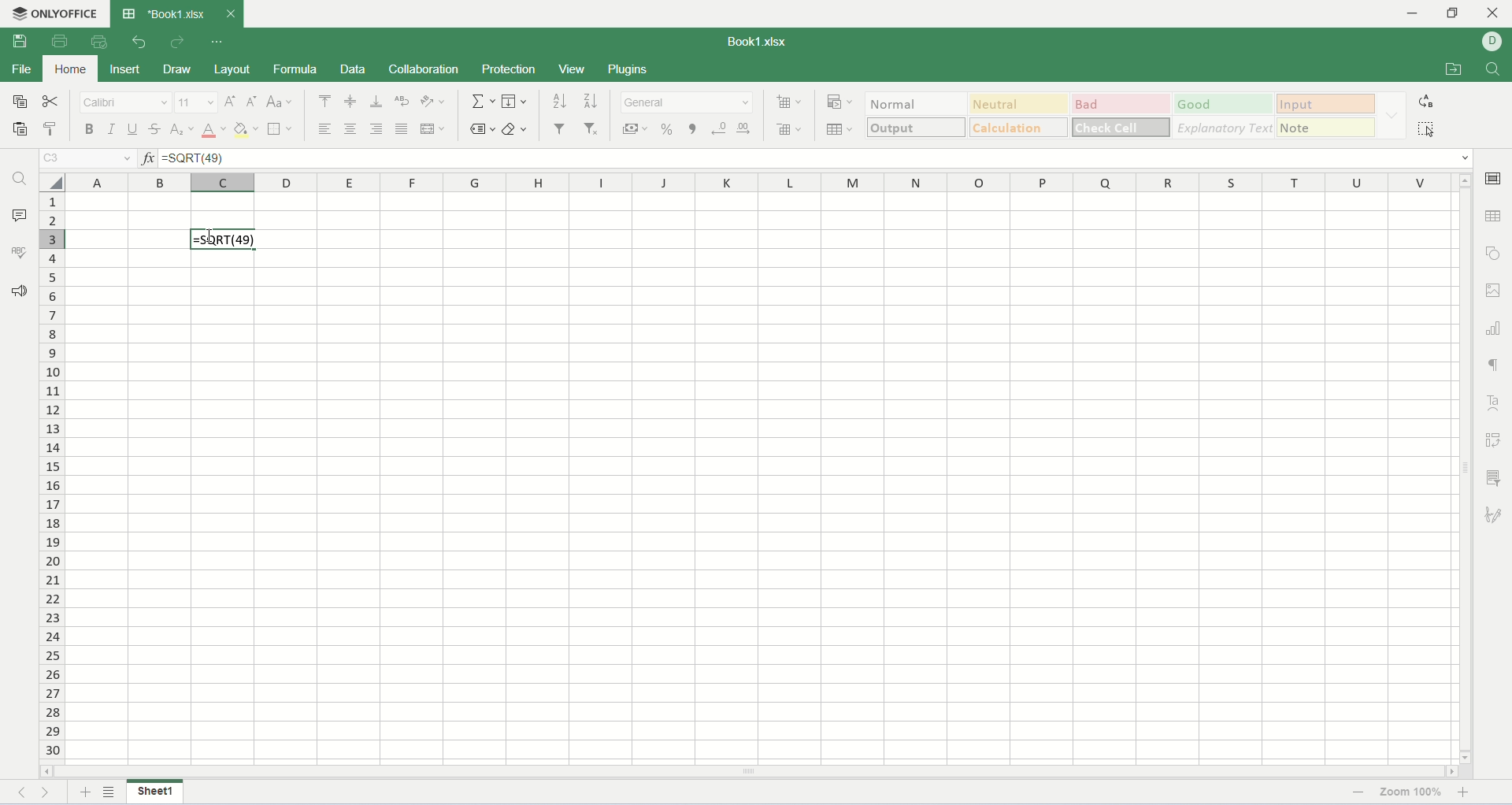 The image size is (1512, 805). What do you see at coordinates (792, 128) in the screenshot?
I see `remove cell` at bounding box center [792, 128].